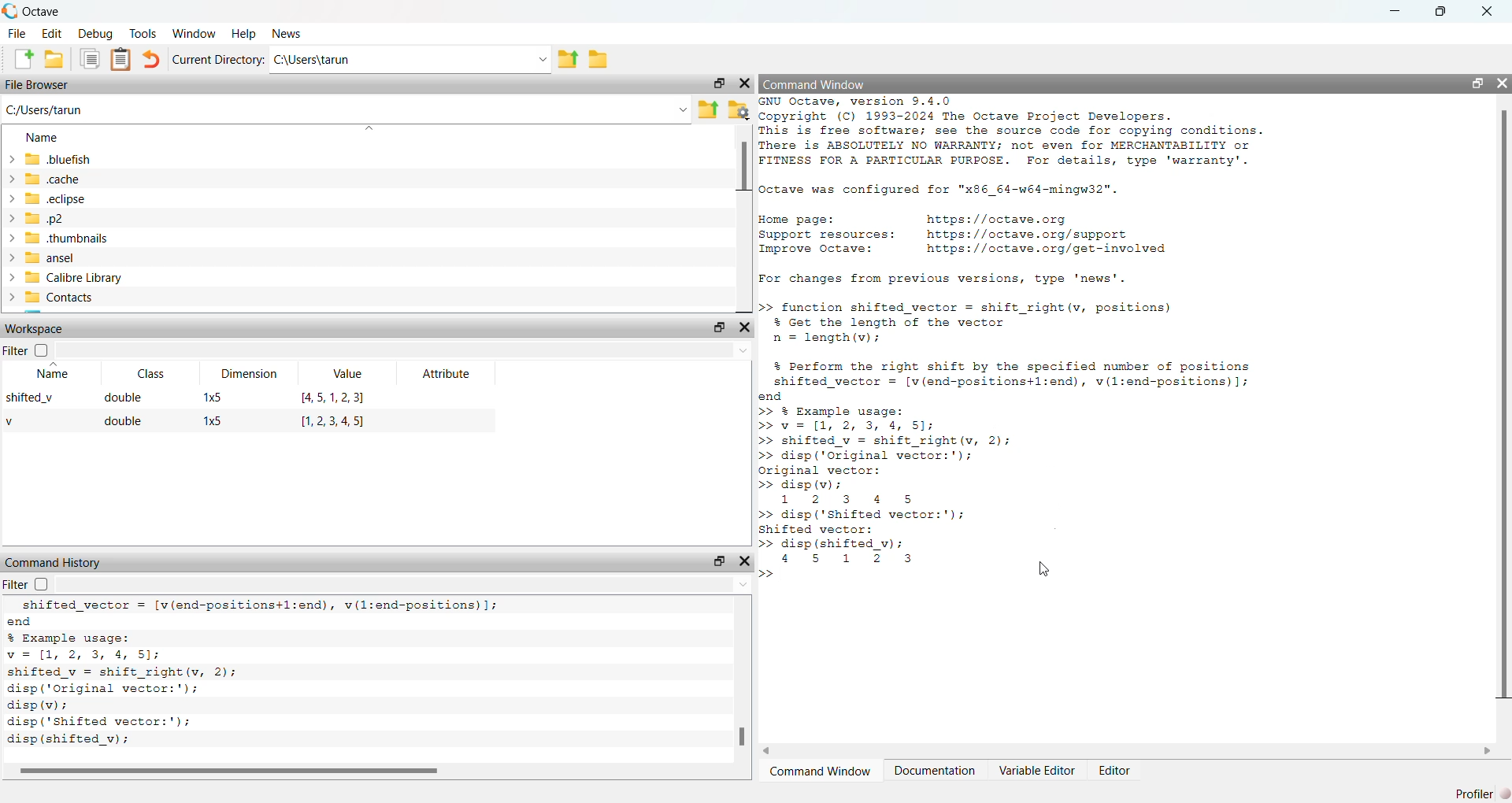  I want to click on .thumbnails, so click(118, 239).